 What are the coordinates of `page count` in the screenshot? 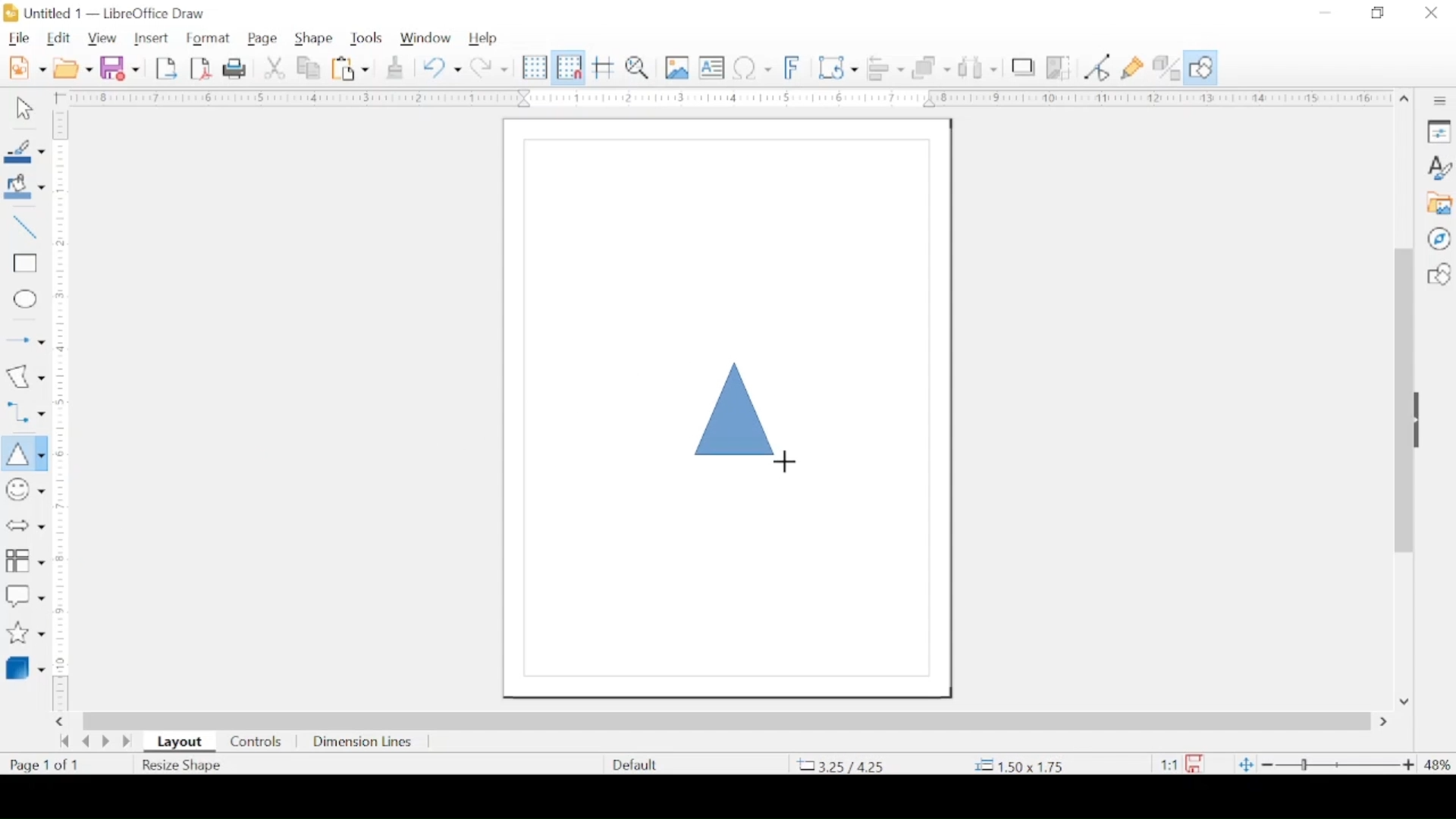 It's located at (43, 765).